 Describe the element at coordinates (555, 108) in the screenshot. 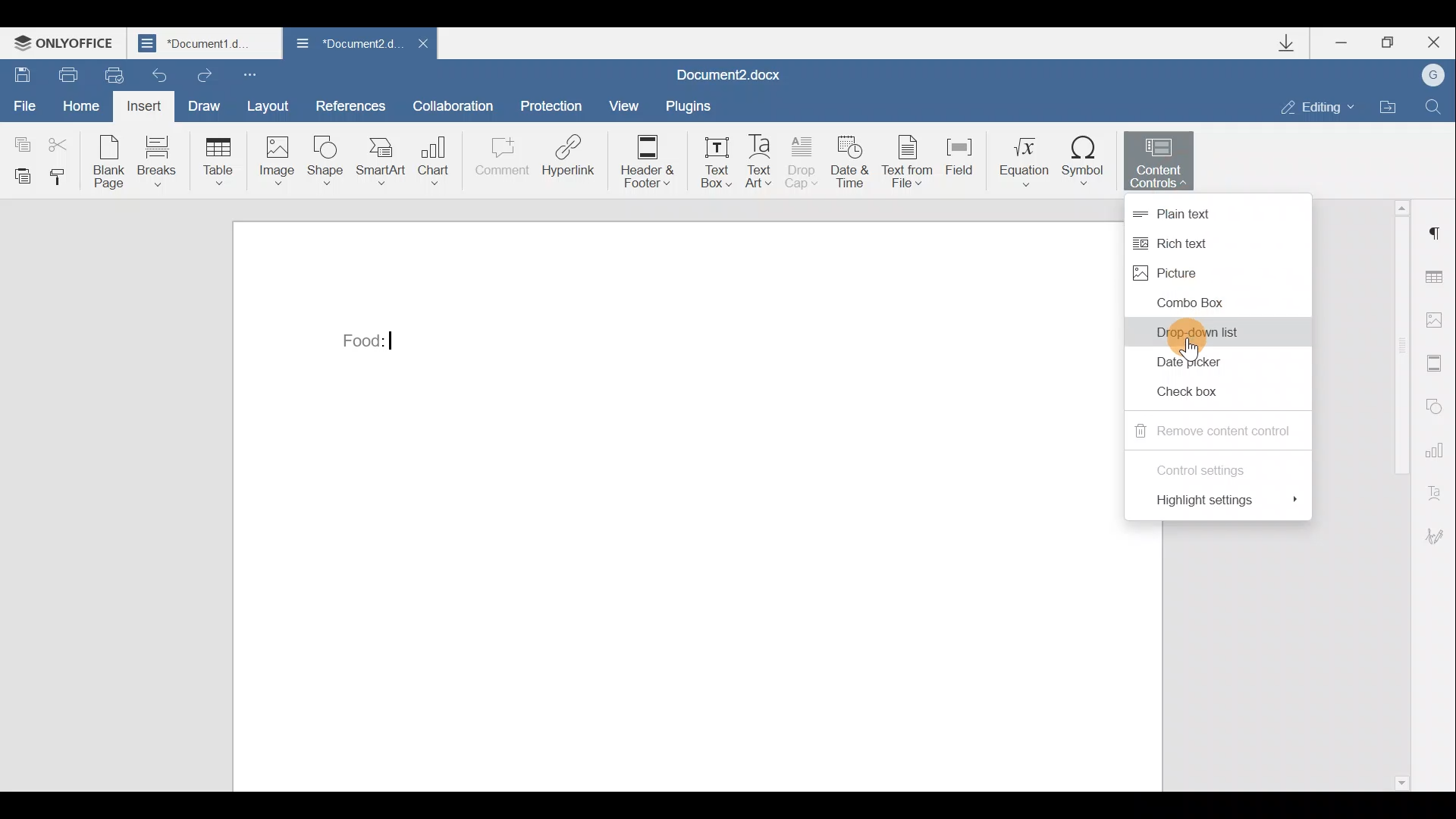

I see `Protection` at that location.